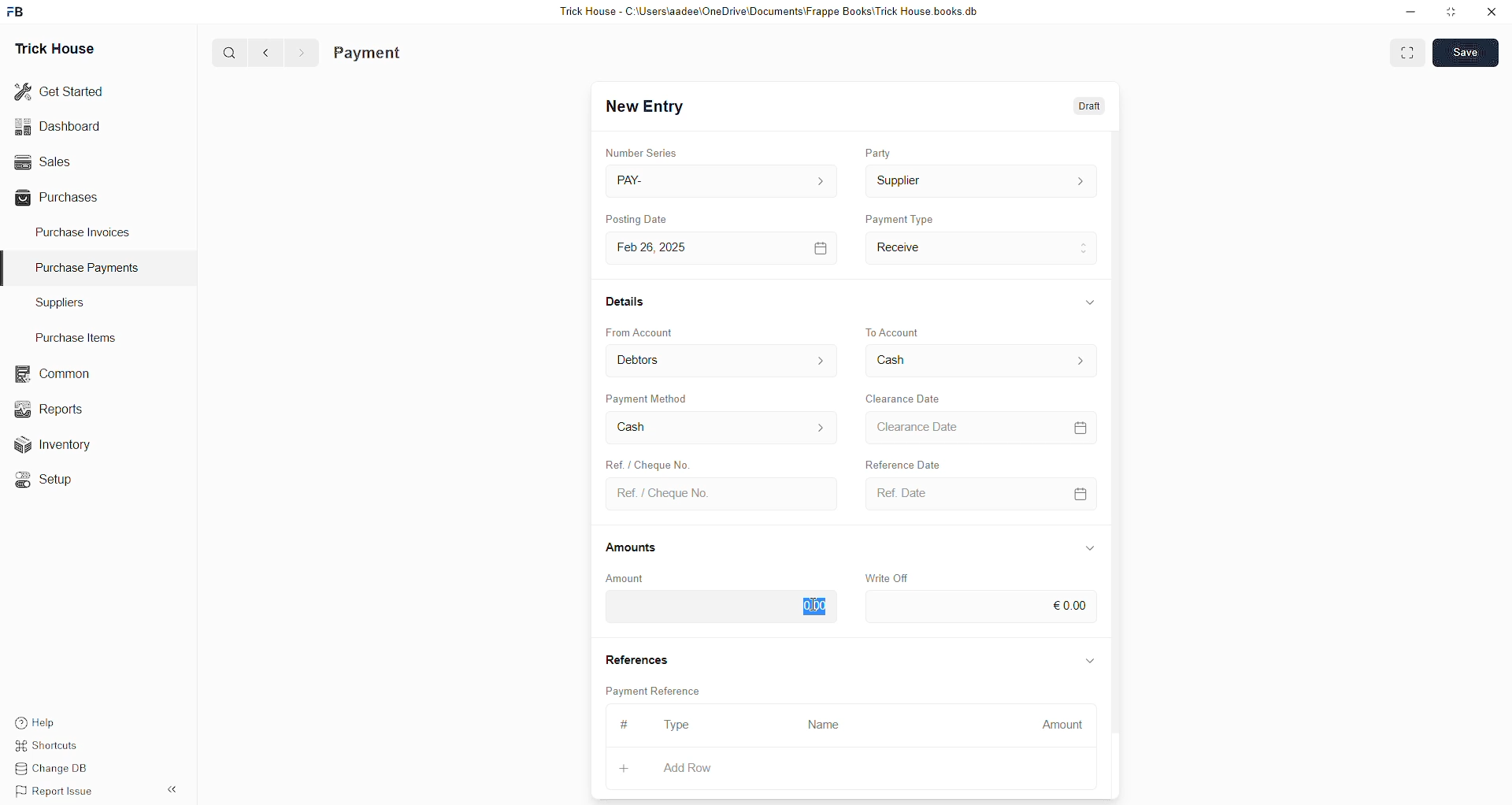 The height and width of the screenshot is (805, 1512). I want to click on Name, so click(824, 725).